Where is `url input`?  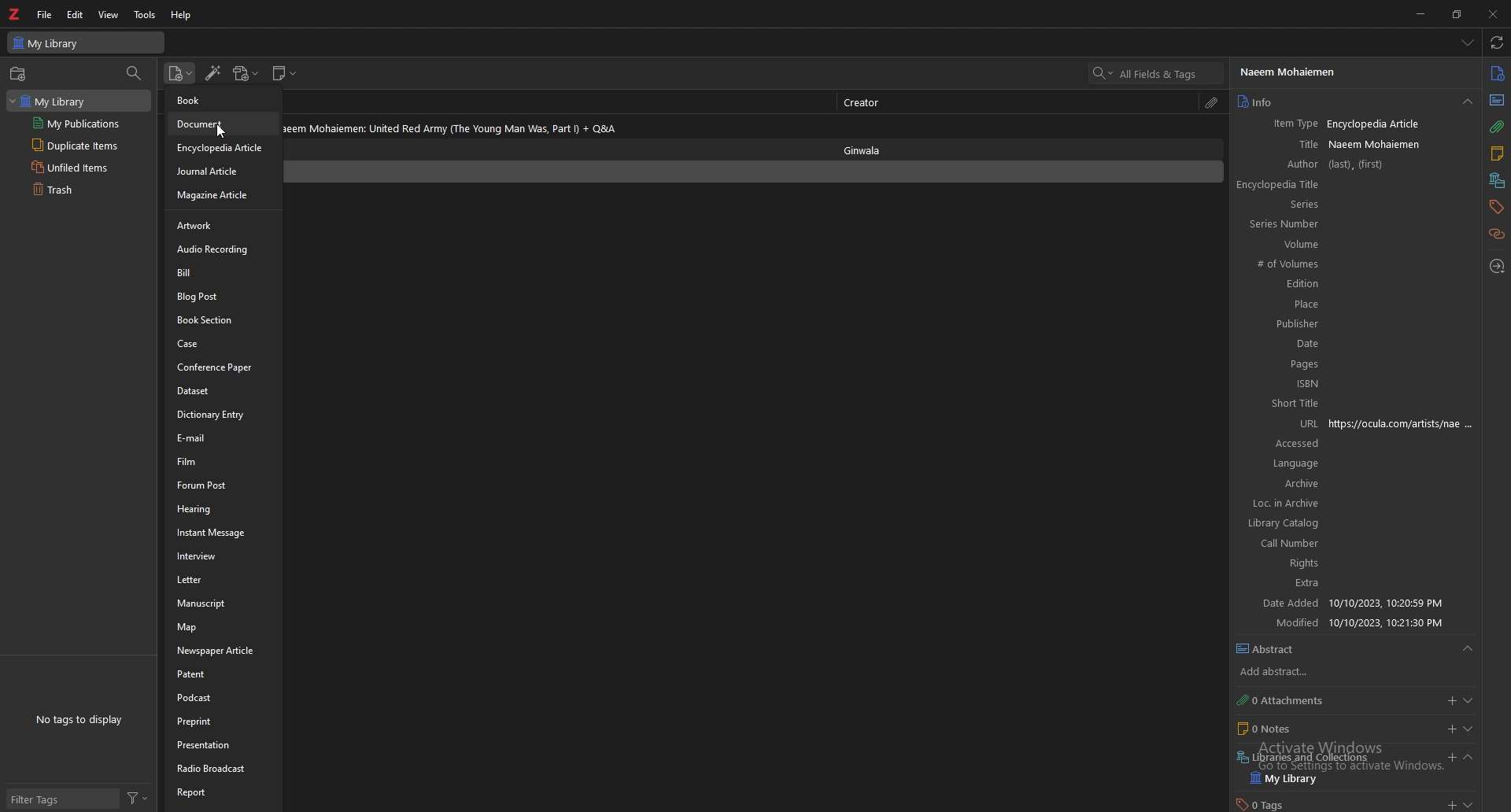
url input is located at coordinates (1406, 423).